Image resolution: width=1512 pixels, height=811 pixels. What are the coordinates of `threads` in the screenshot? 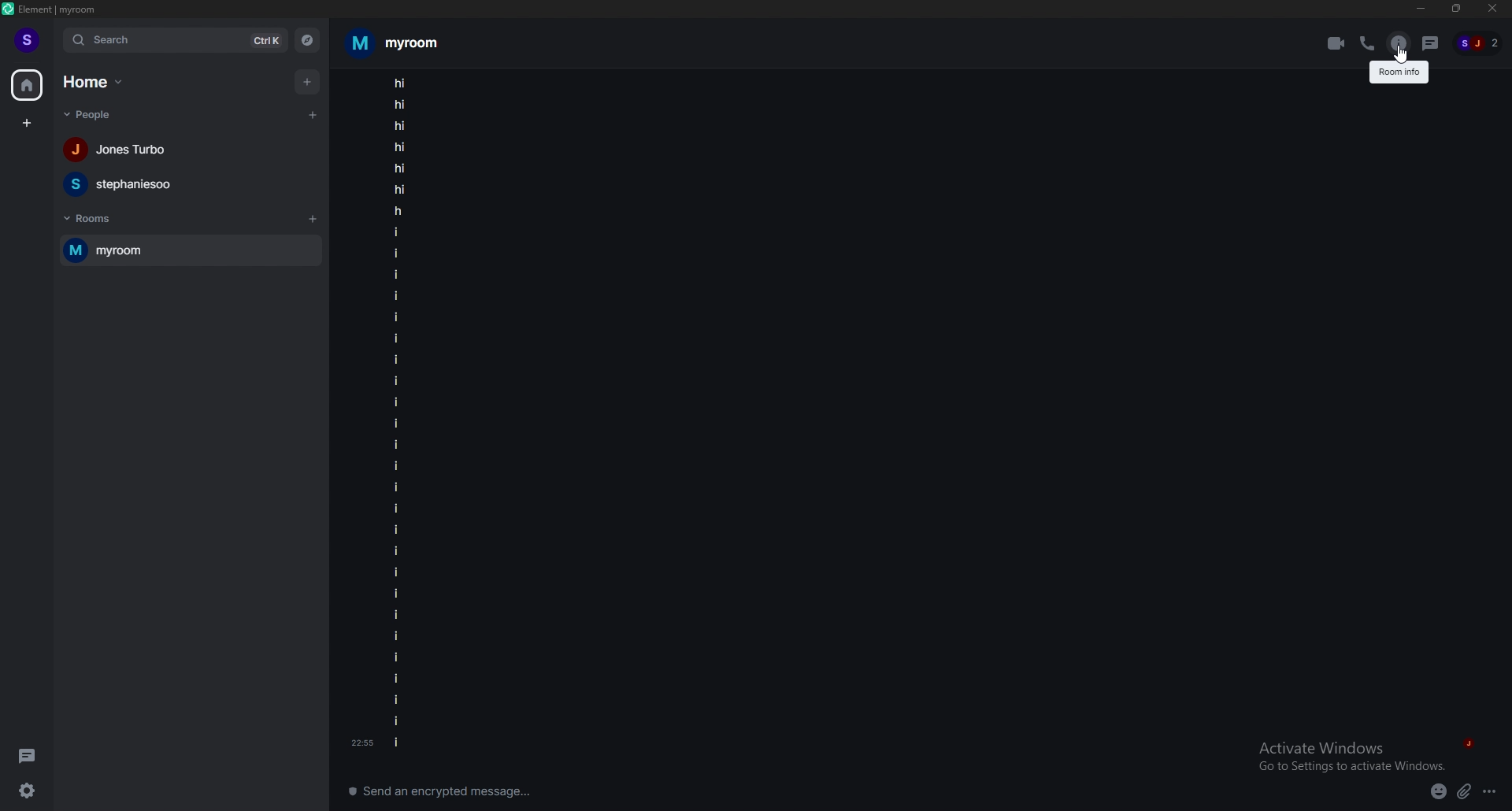 It's located at (1430, 43).